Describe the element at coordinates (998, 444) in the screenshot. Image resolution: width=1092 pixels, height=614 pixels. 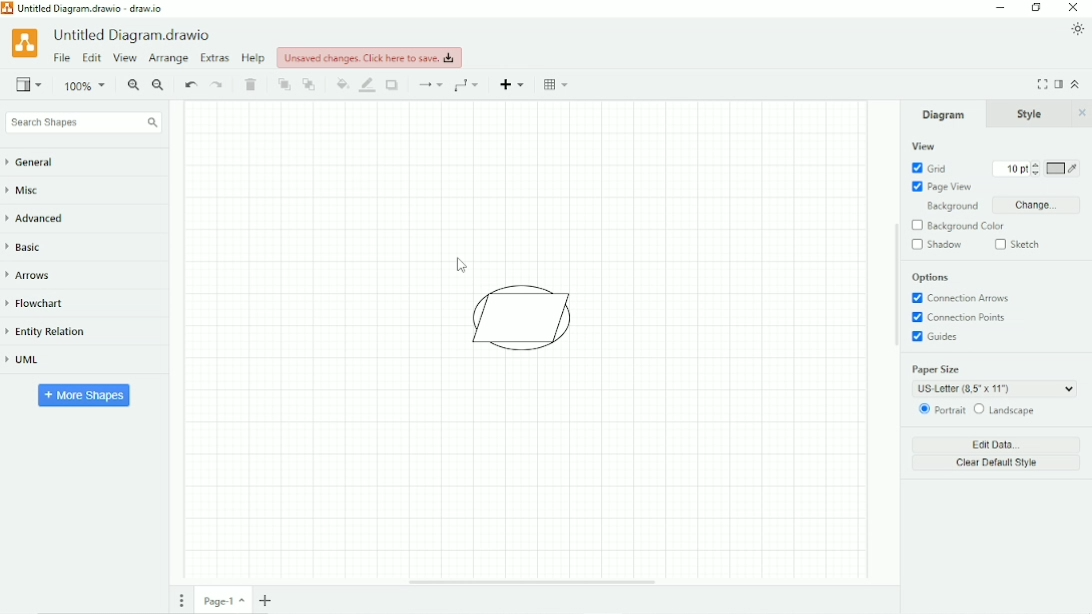
I see `Edit data` at that location.